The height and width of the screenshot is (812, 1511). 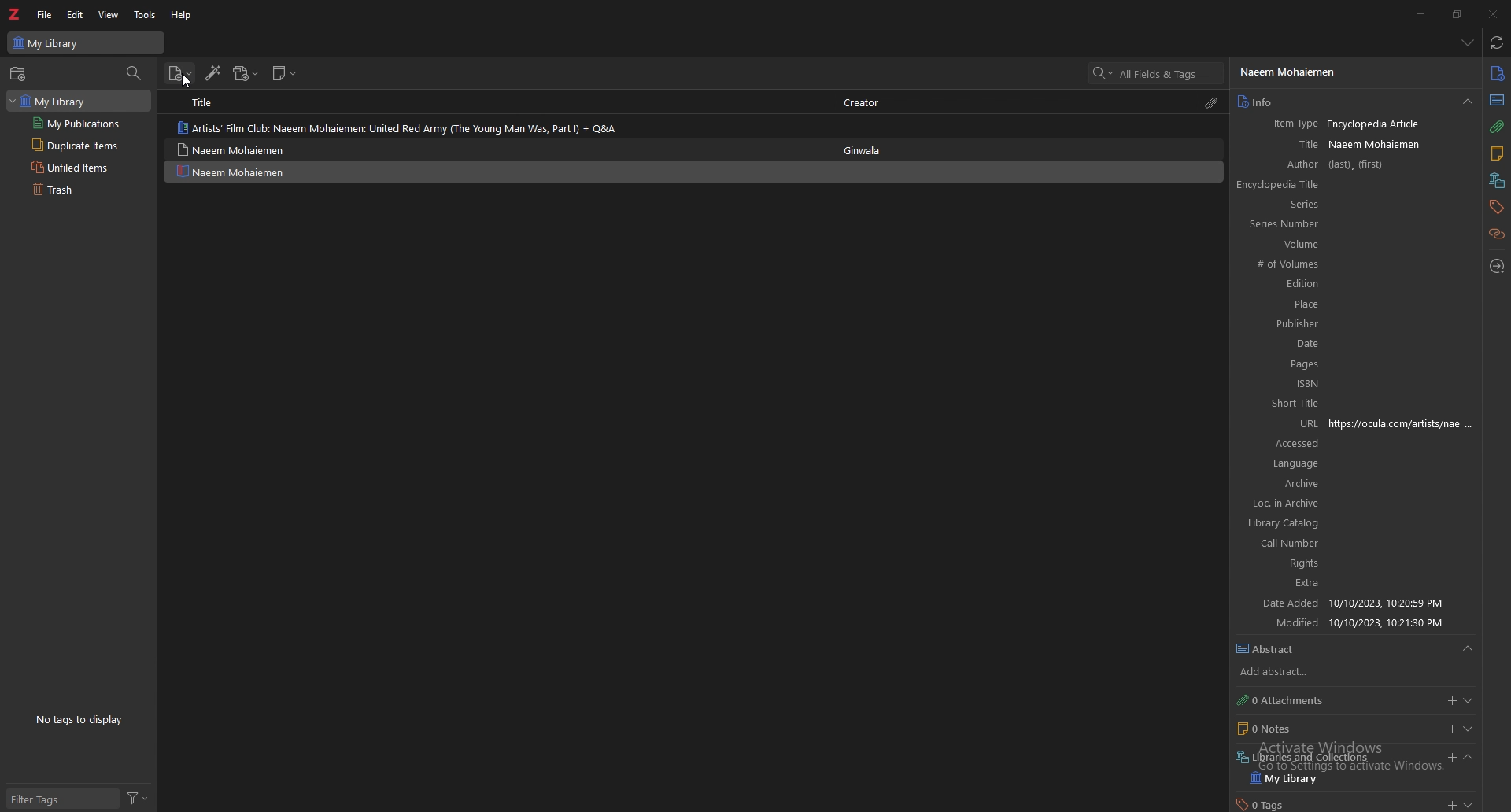 I want to click on encyclopedia title, so click(x=1279, y=185).